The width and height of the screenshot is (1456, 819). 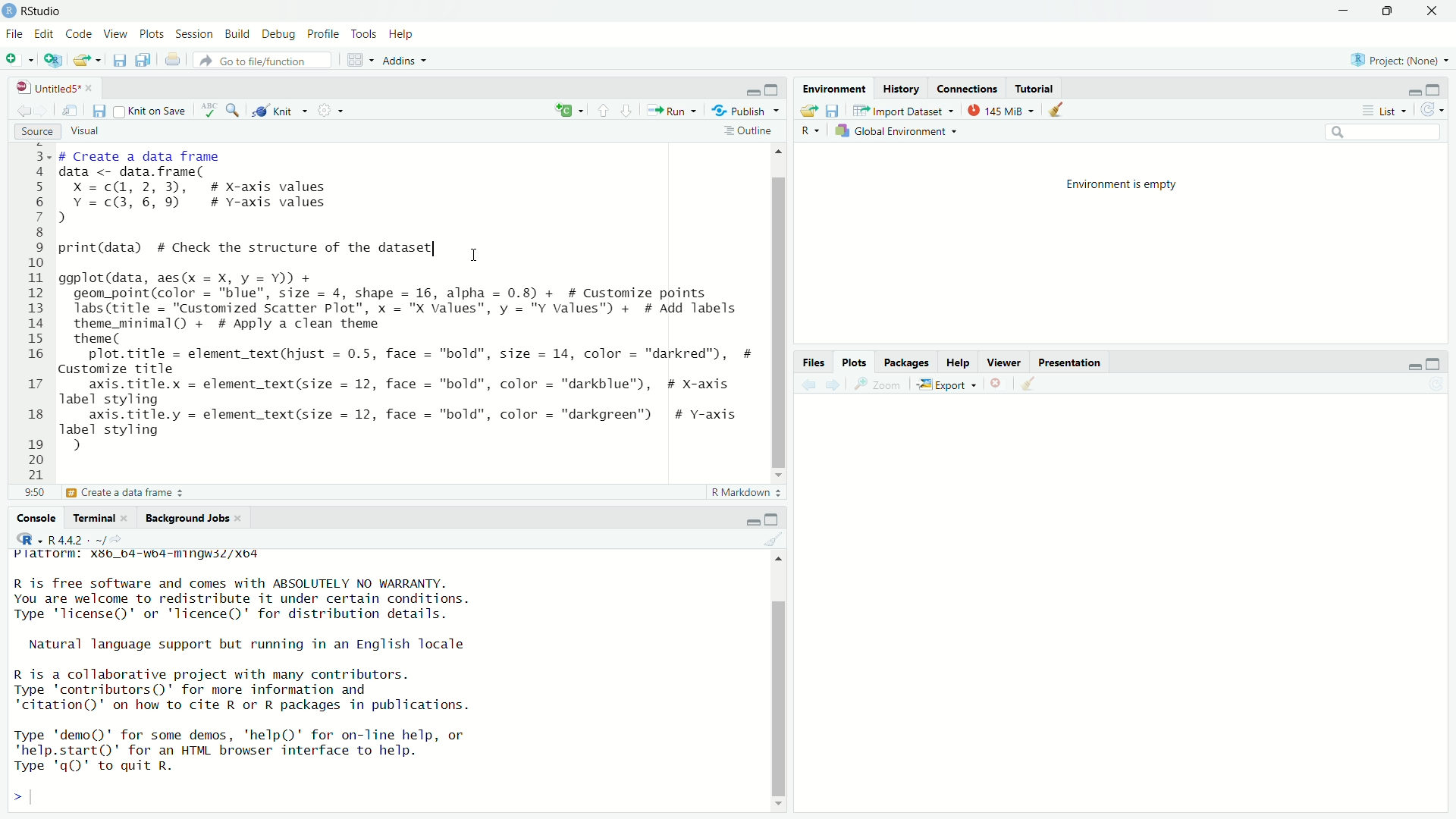 What do you see at coordinates (805, 130) in the screenshot?
I see `R` at bounding box center [805, 130].